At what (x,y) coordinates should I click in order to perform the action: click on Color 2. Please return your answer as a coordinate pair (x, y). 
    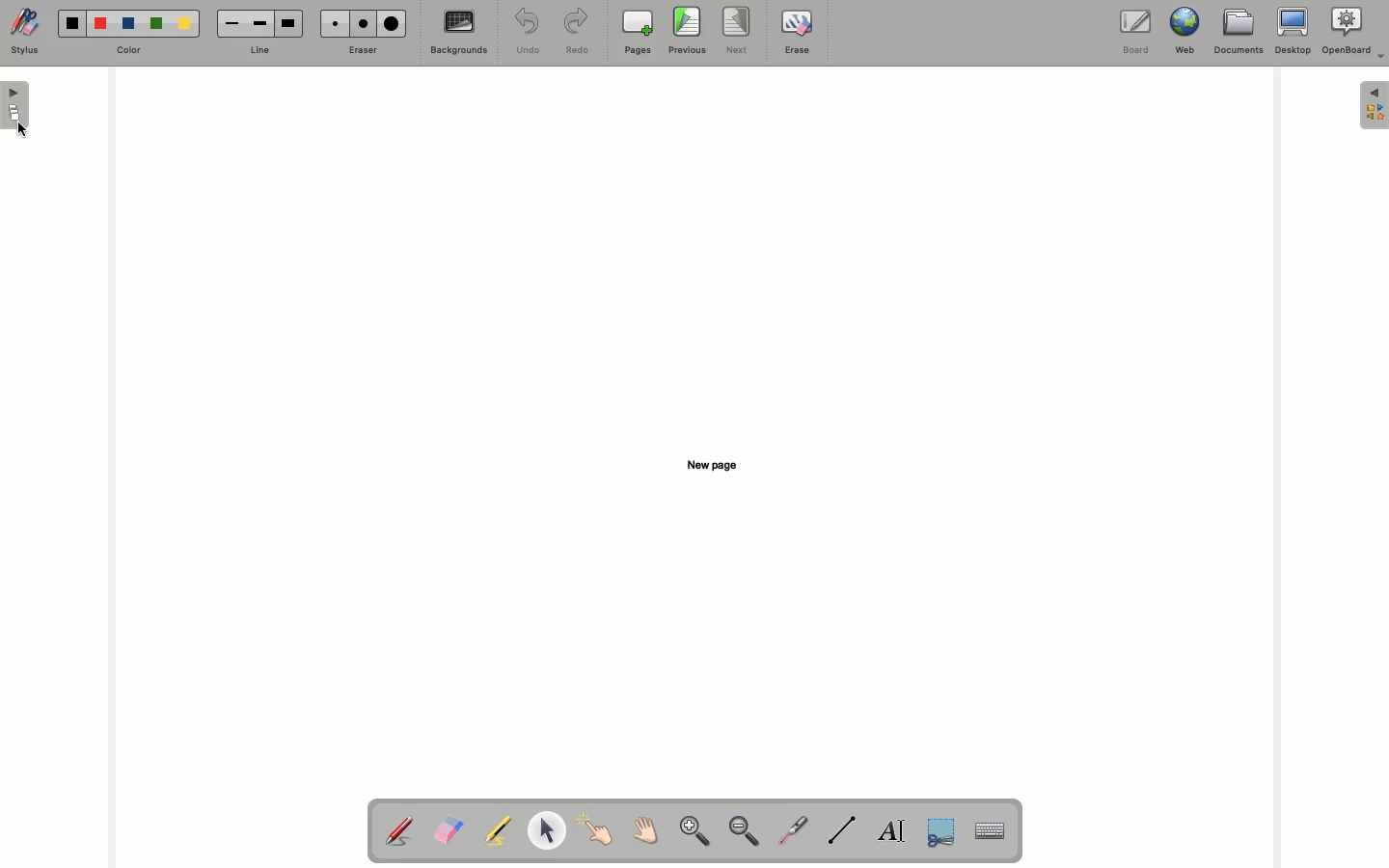
    Looking at the image, I should click on (100, 24).